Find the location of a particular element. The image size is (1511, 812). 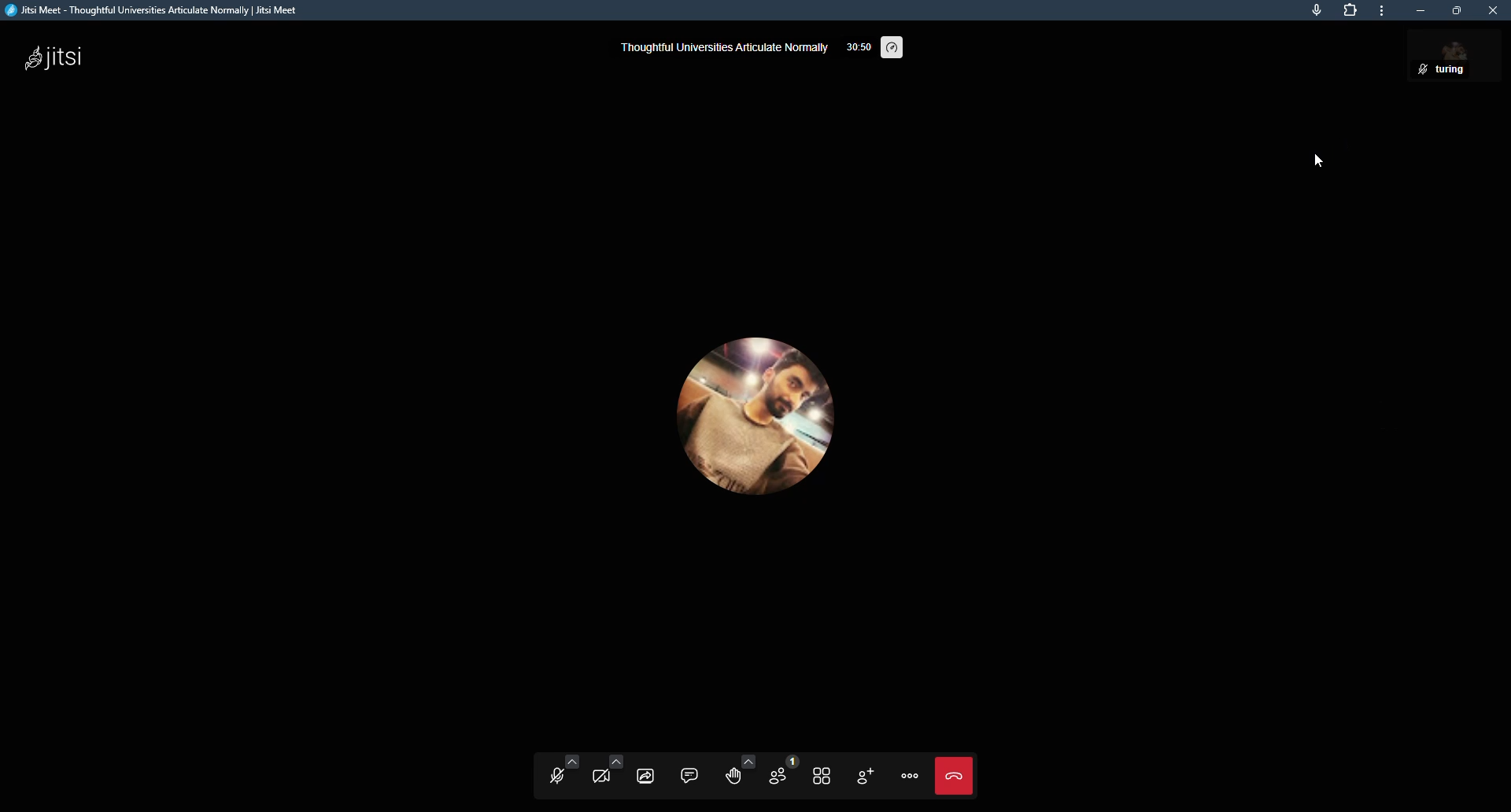

Jitsi Meet - Thoughtful Universities Articulate Normally | Jitsi Meet is located at coordinates (173, 12).